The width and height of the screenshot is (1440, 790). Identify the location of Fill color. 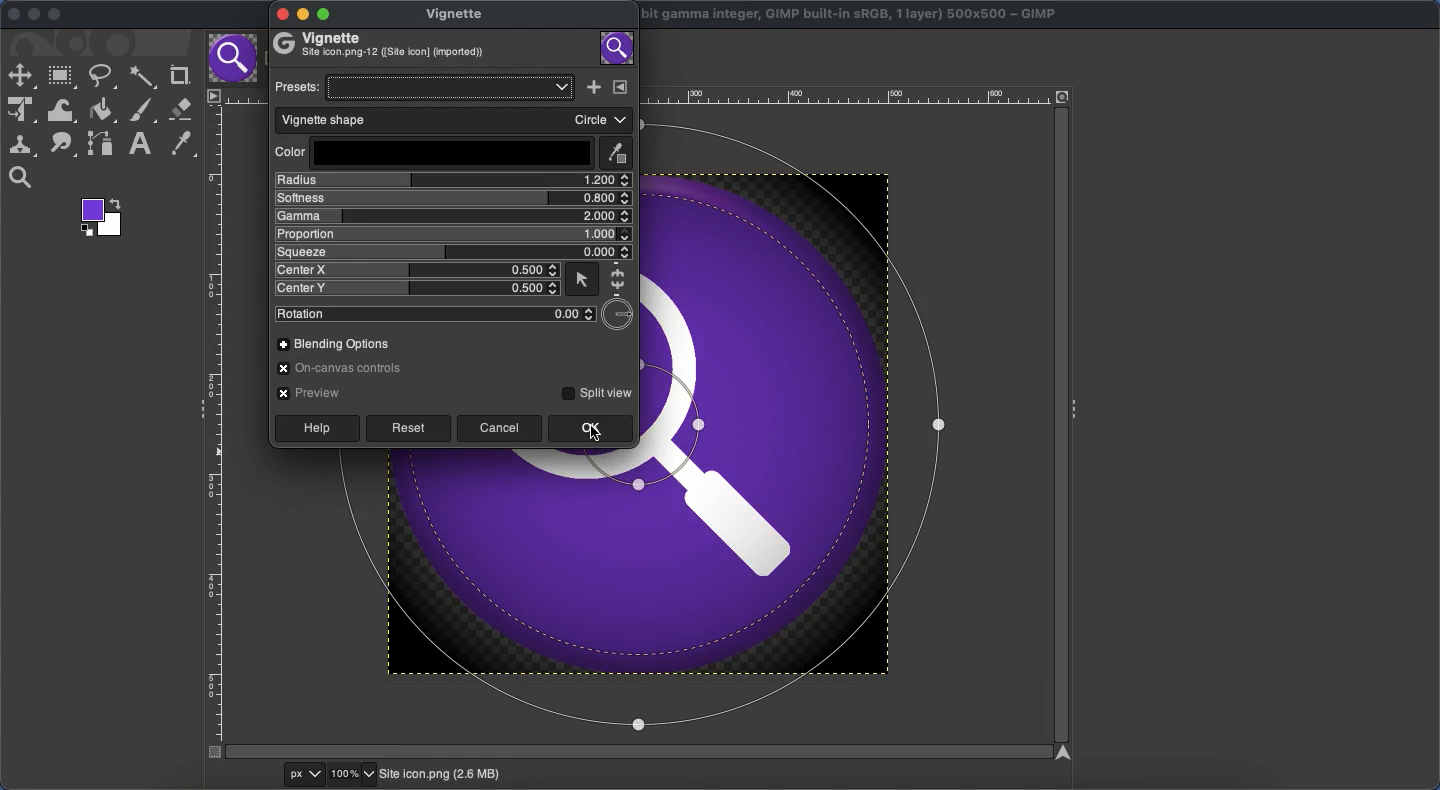
(102, 110).